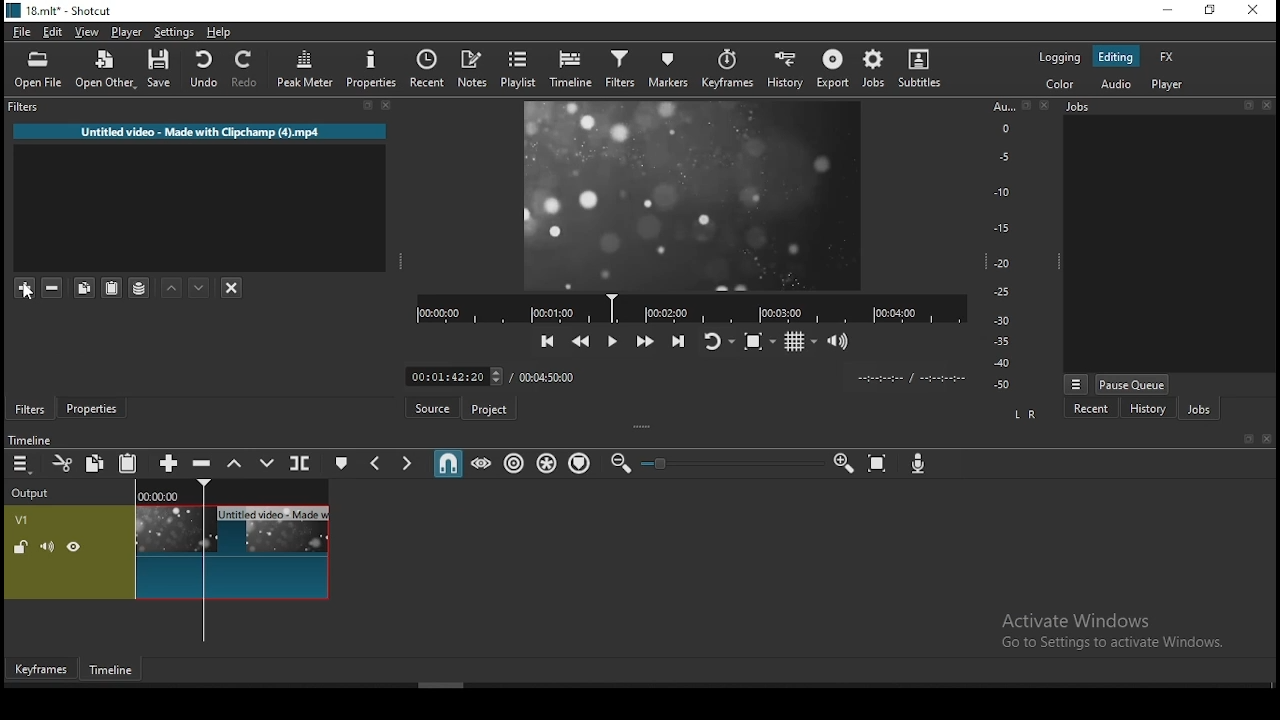 The image size is (1280, 720). I want to click on Untitled video - Made with Clipchamp (4).mp4, so click(200, 131).